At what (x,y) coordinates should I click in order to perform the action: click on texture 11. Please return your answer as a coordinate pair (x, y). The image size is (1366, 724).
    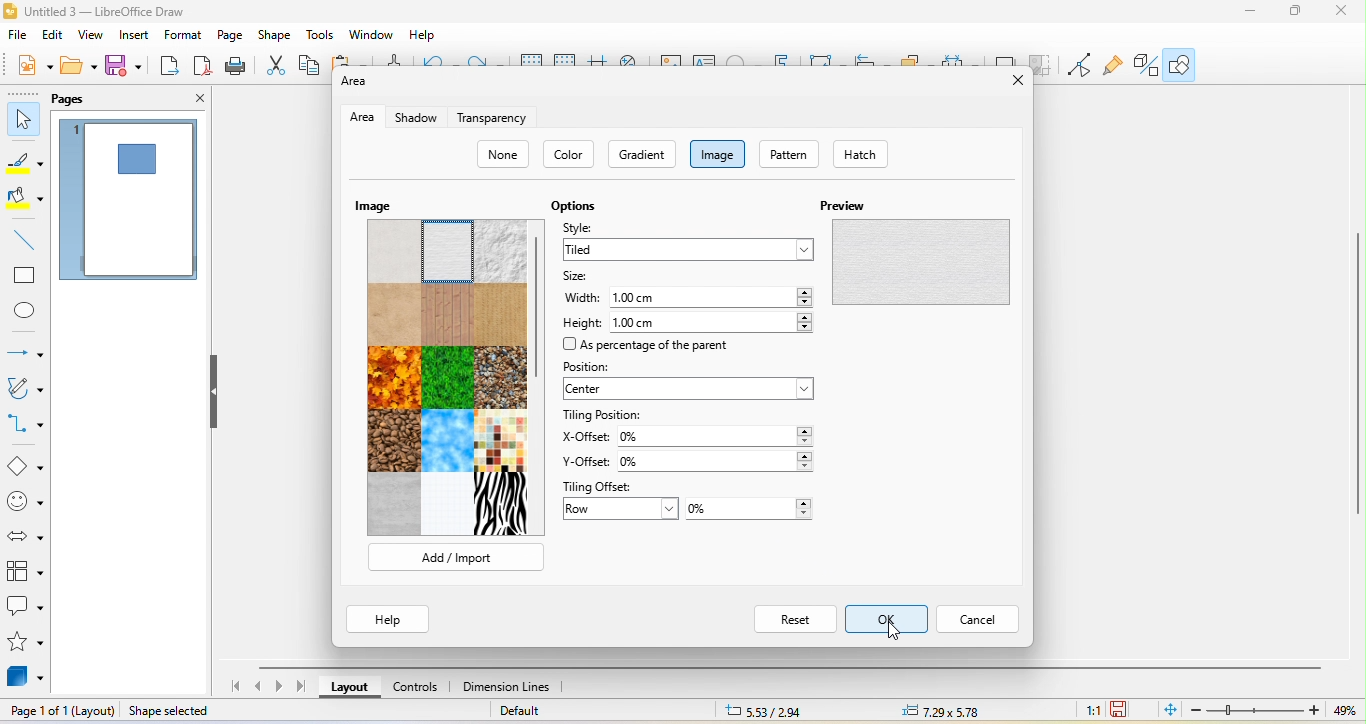
    Looking at the image, I should click on (446, 441).